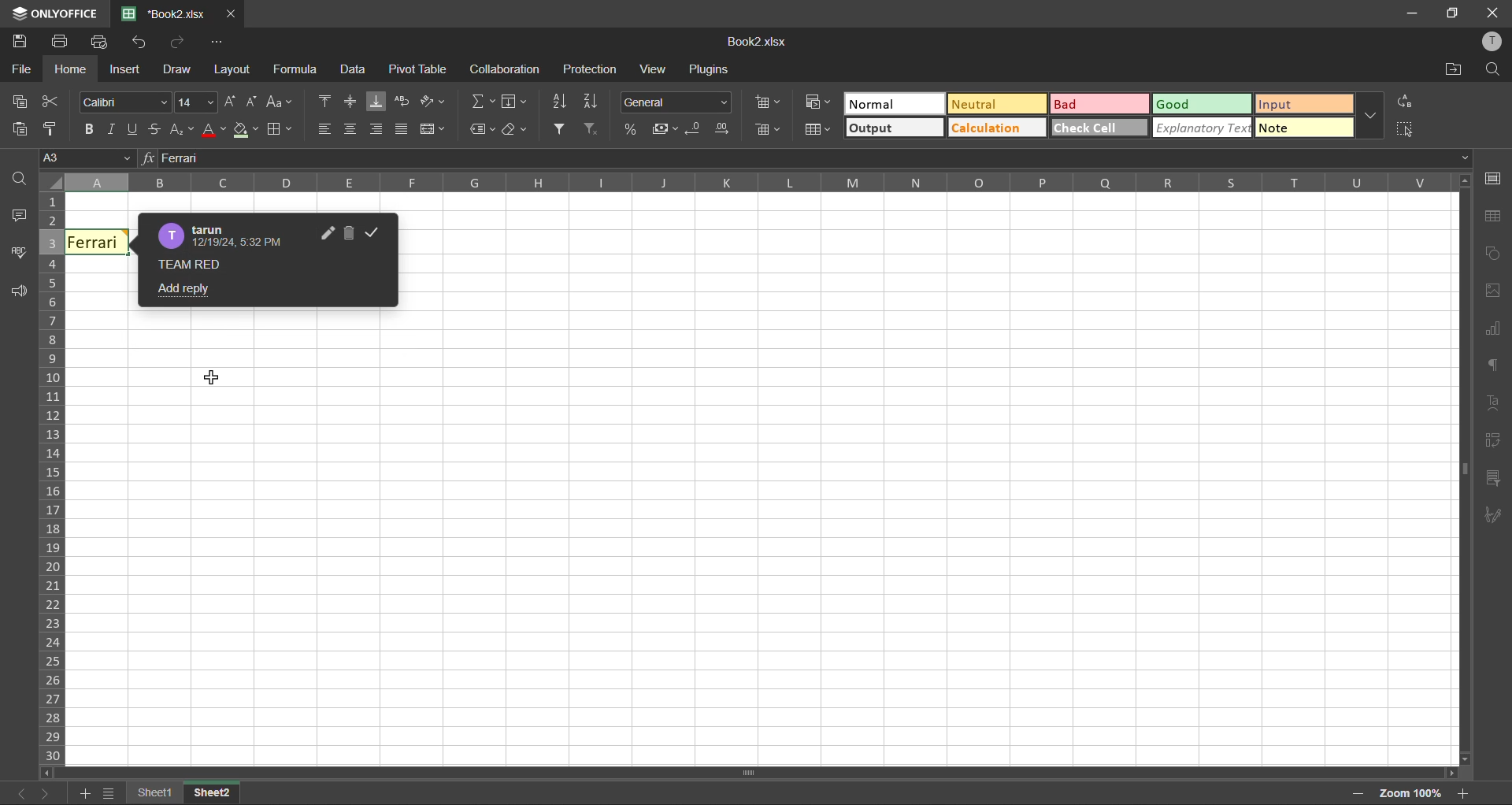  I want to click on insert, so click(125, 69).